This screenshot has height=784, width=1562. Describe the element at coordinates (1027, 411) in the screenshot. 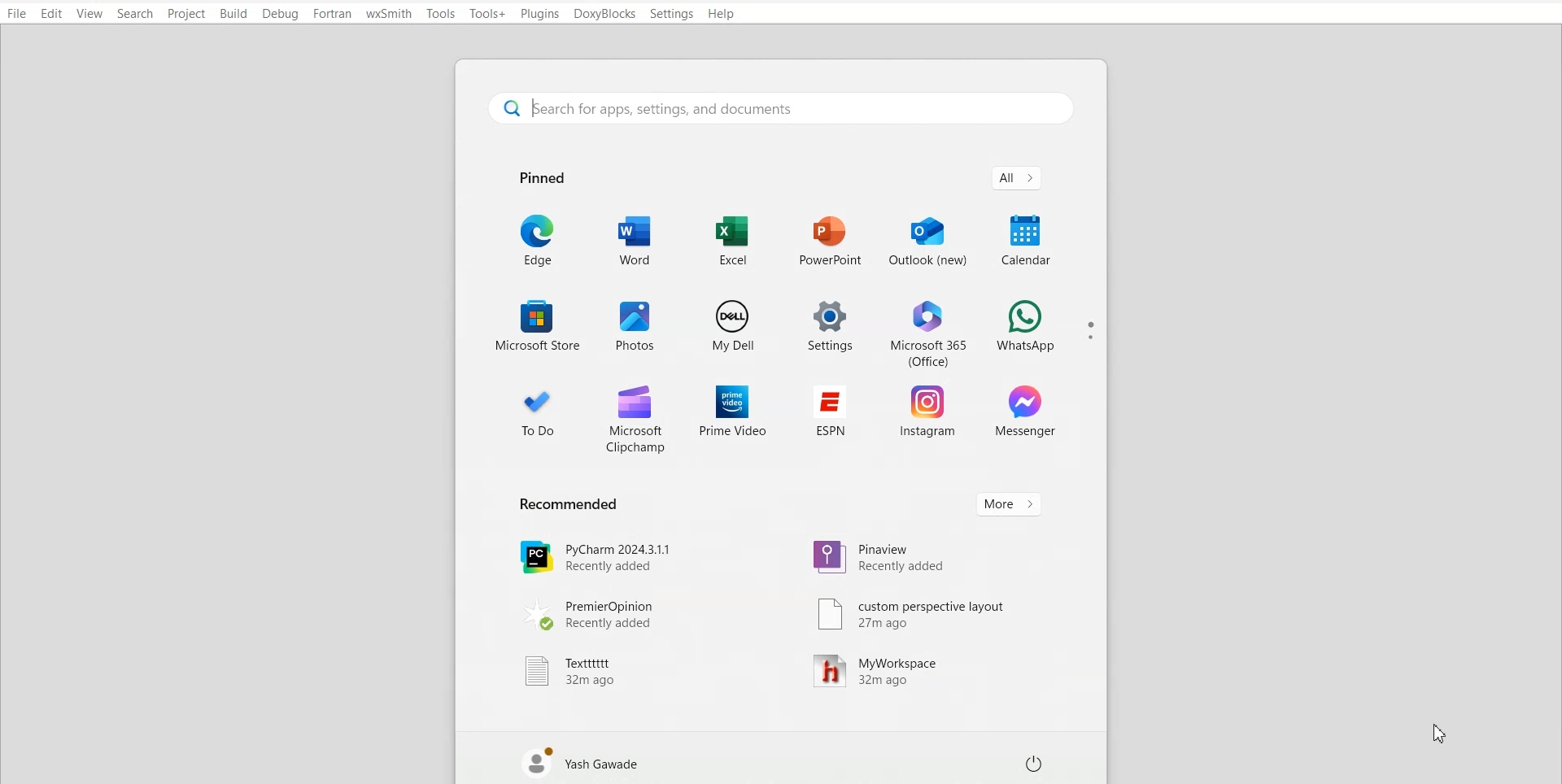

I see `Messenger` at that location.